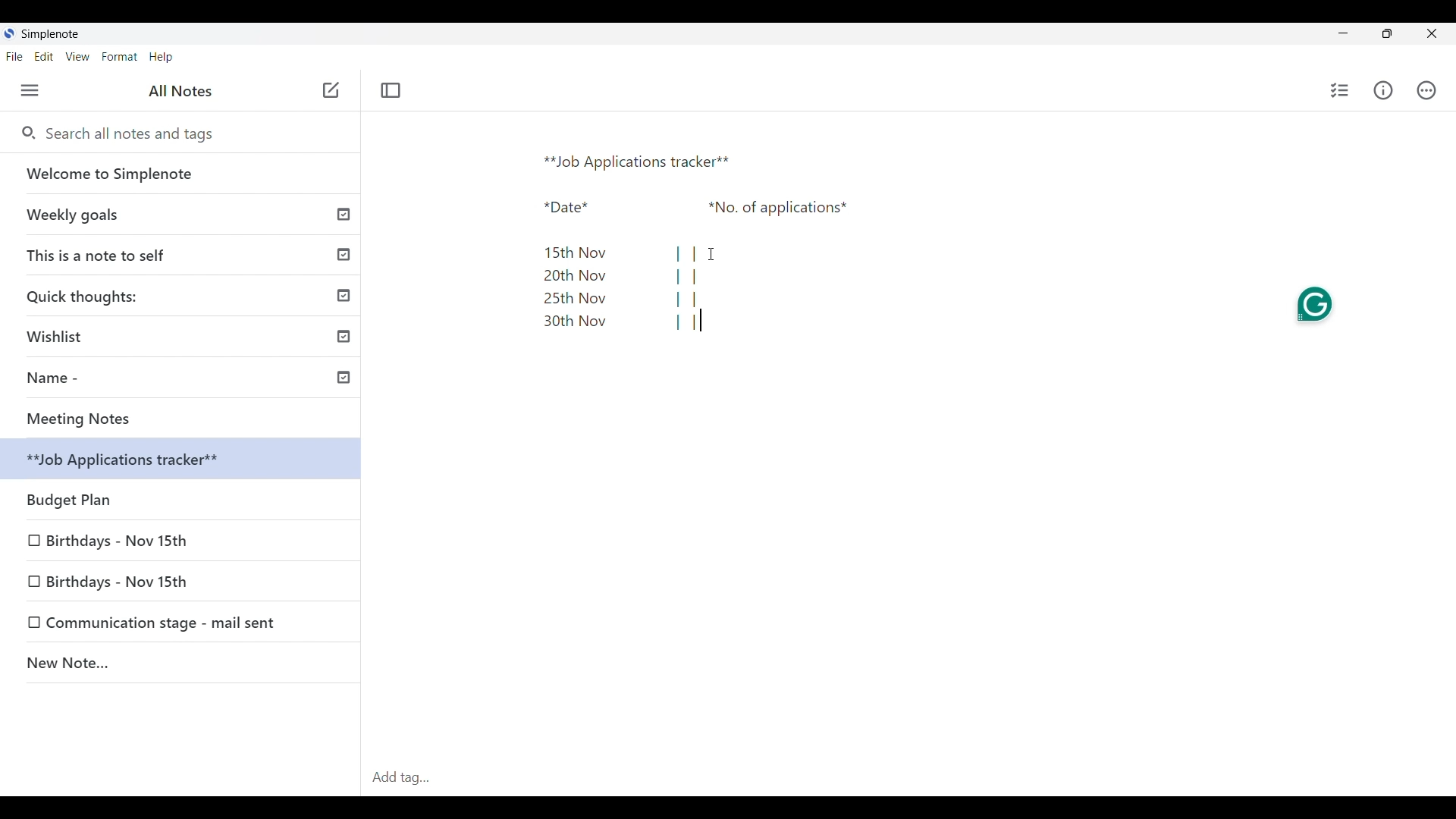  I want to click on Birthdays - Nov 15th, so click(119, 538).